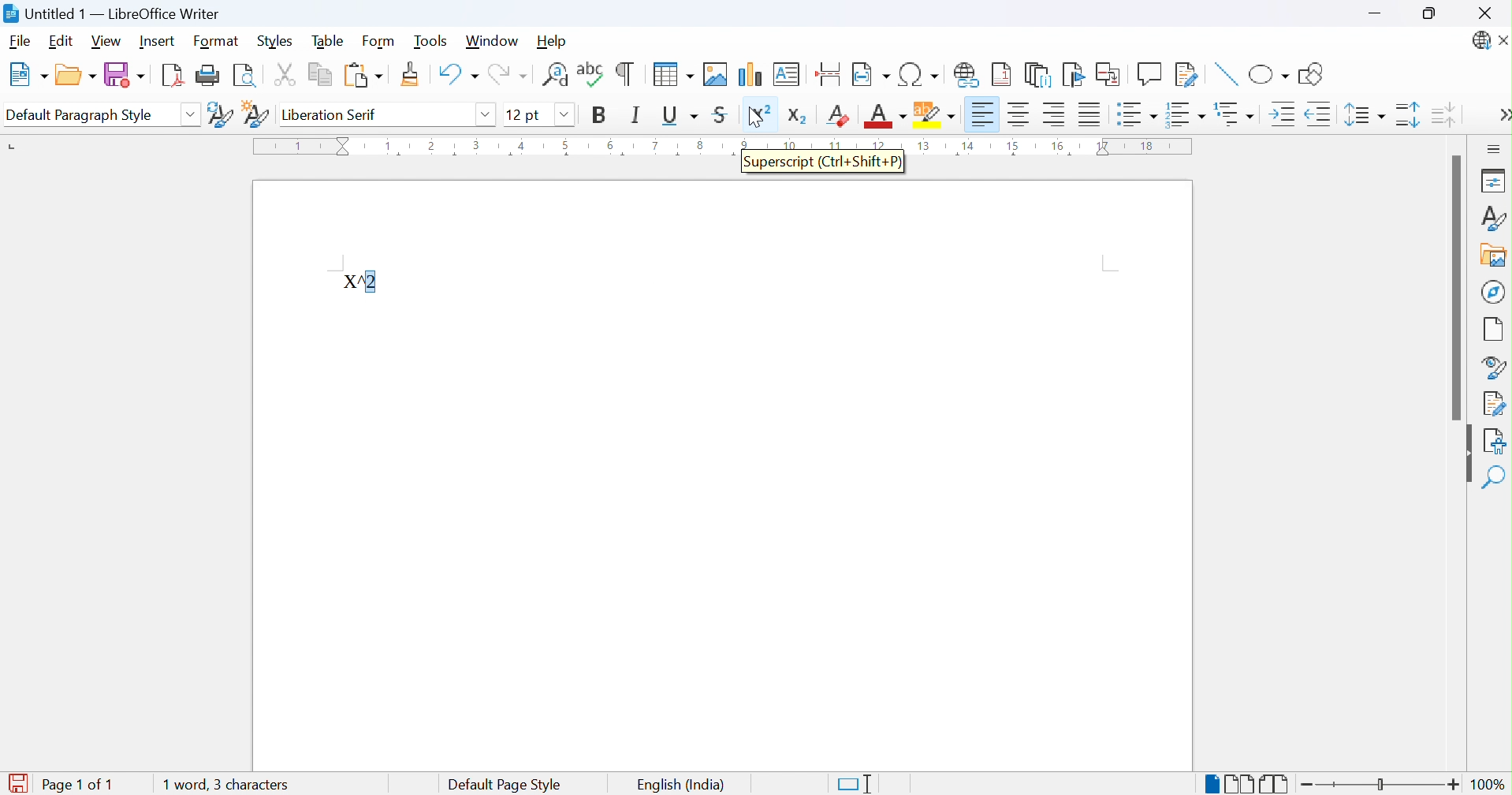 The image size is (1512, 795). What do you see at coordinates (108, 43) in the screenshot?
I see `View` at bounding box center [108, 43].